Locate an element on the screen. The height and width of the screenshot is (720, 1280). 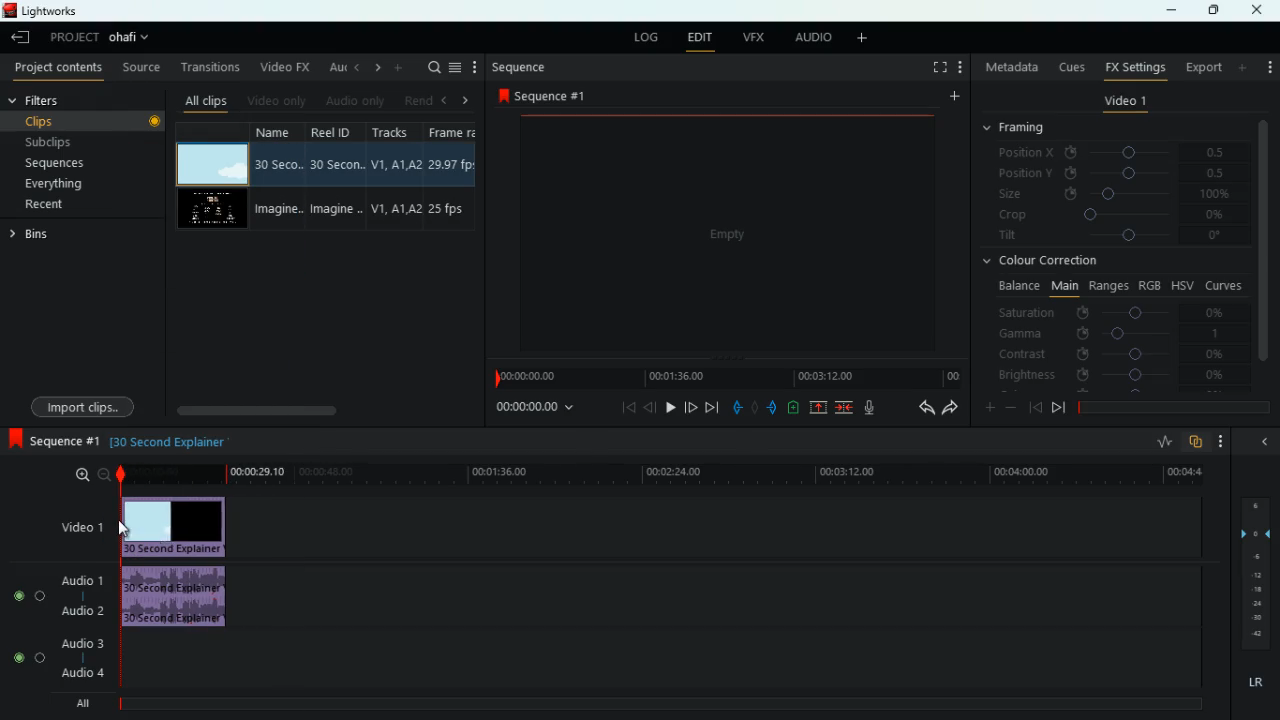
end is located at coordinates (714, 407).